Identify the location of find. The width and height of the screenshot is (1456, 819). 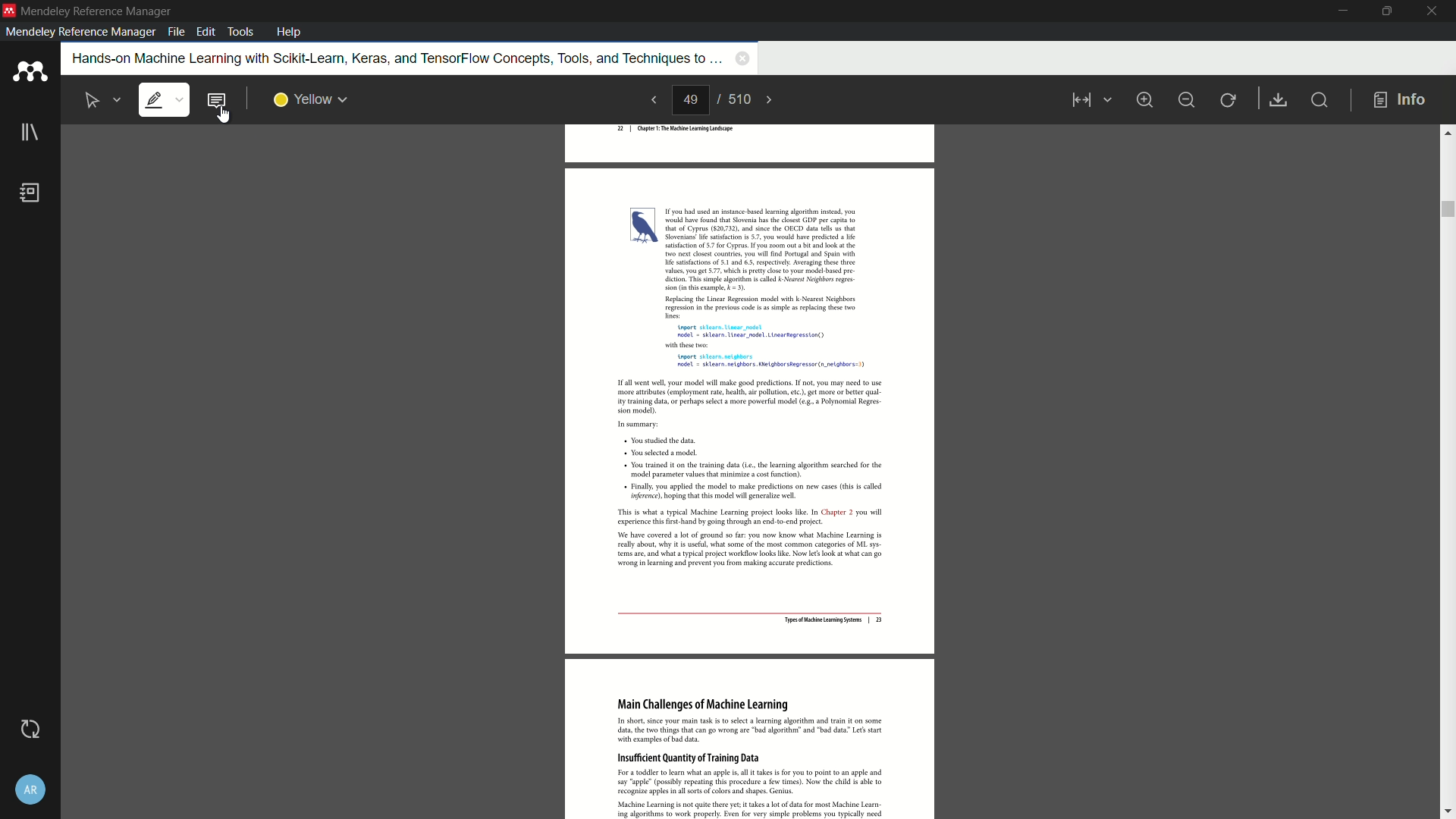
(1323, 102).